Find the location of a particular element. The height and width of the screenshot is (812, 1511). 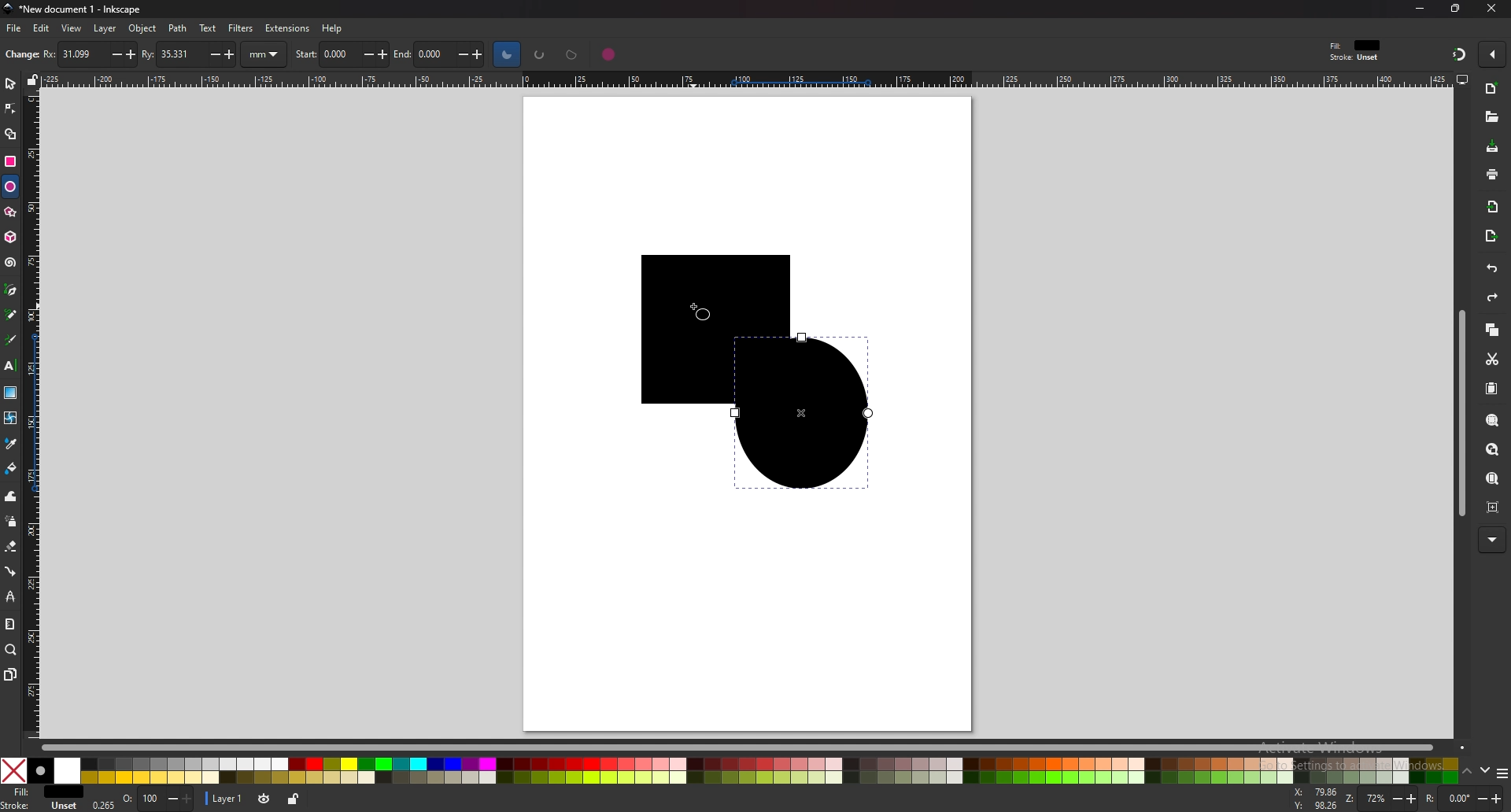

redo is located at coordinates (1493, 298).